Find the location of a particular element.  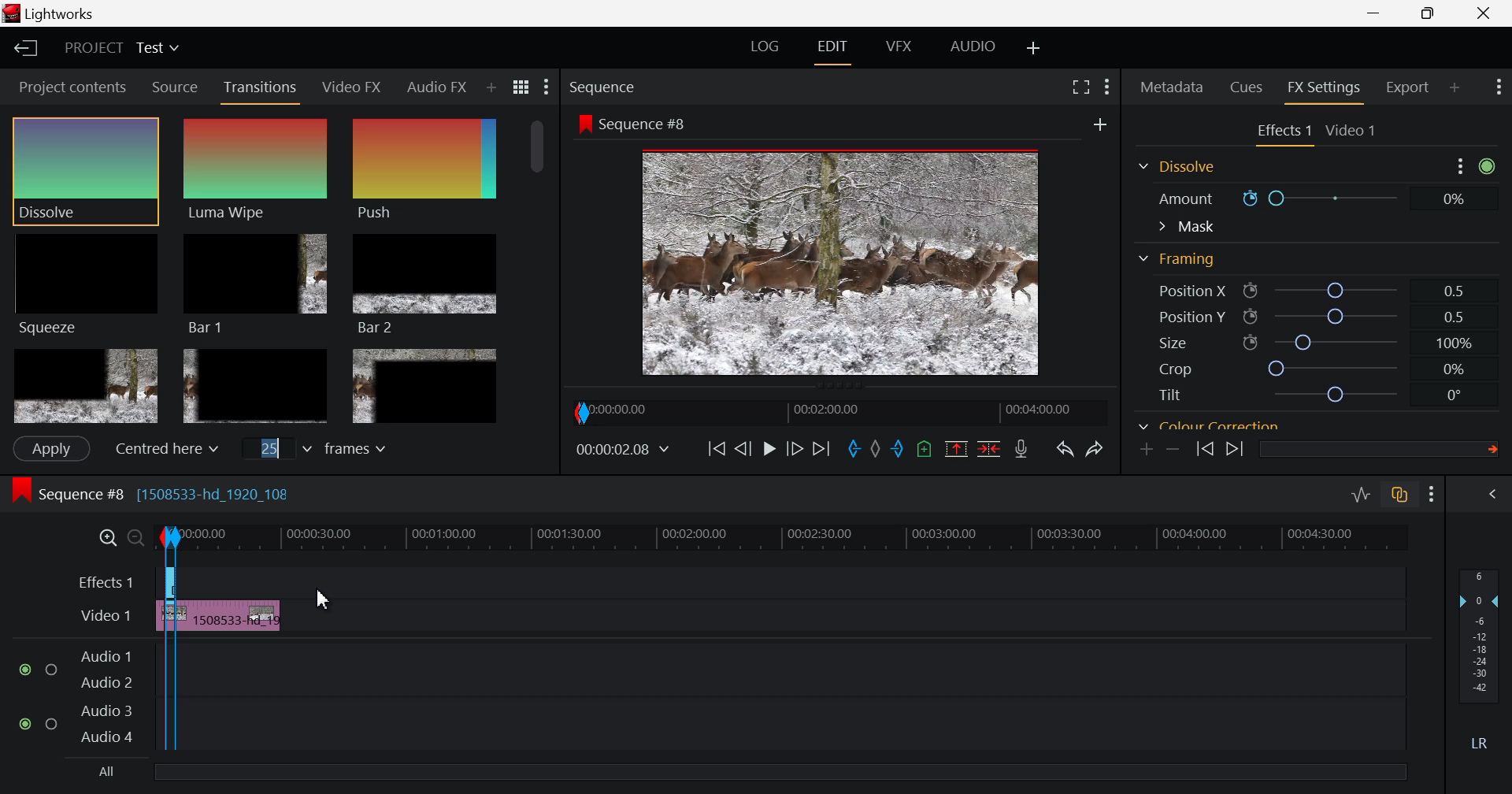

VFX is located at coordinates (899, 46).